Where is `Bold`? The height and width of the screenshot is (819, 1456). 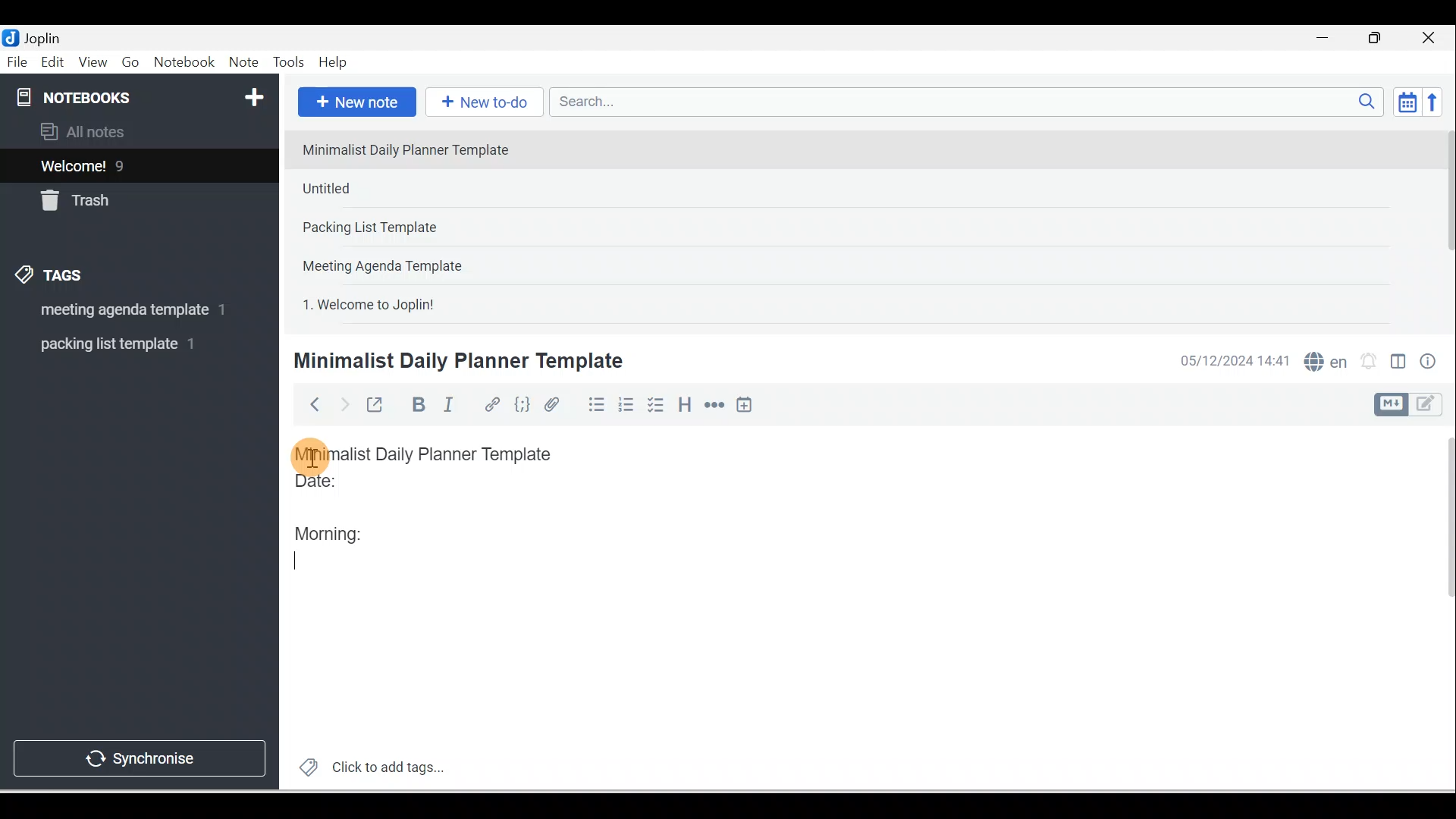
Bold is located at coordinates (416, 405).